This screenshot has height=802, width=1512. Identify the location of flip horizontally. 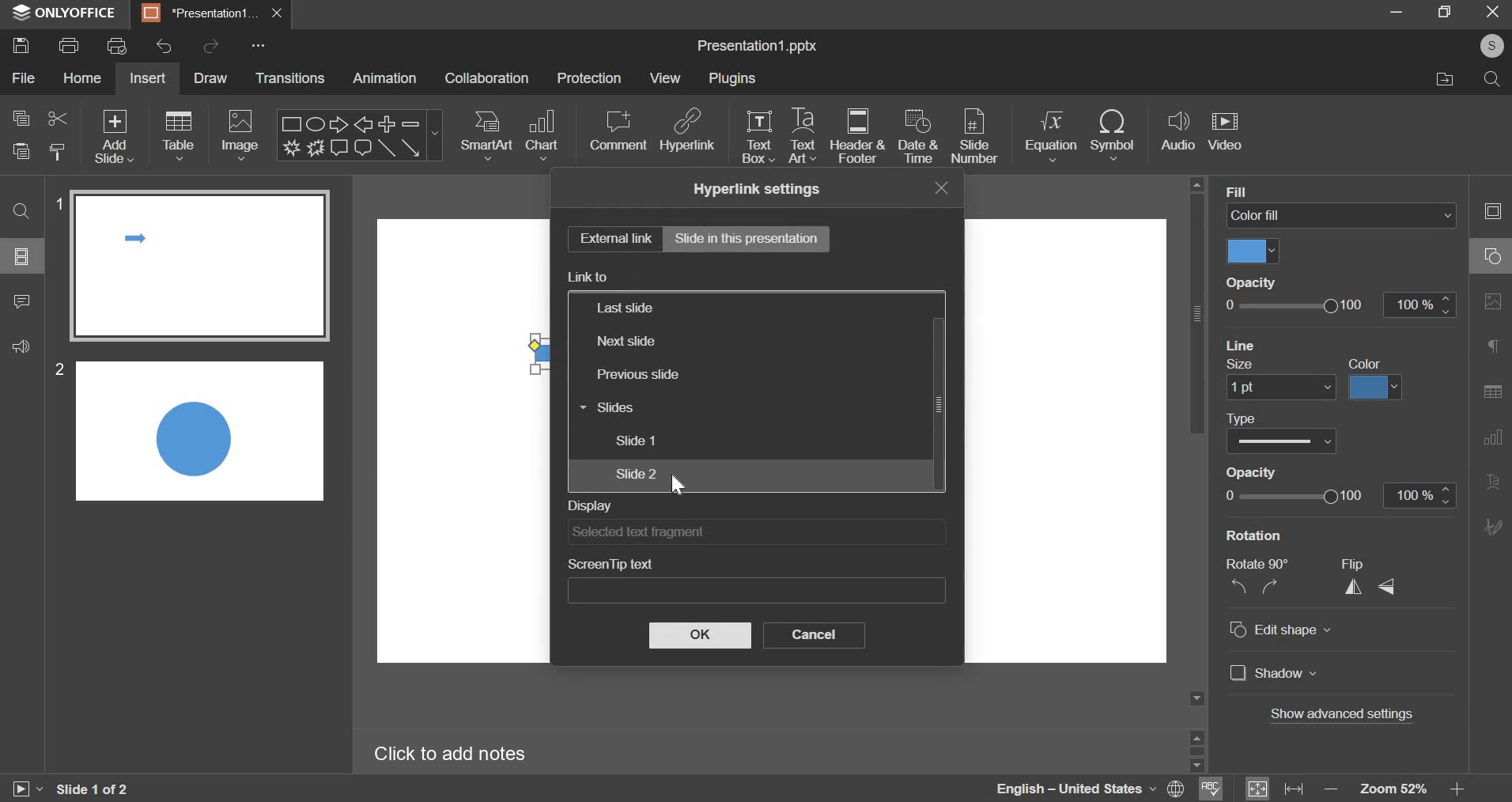
(1352, 587).